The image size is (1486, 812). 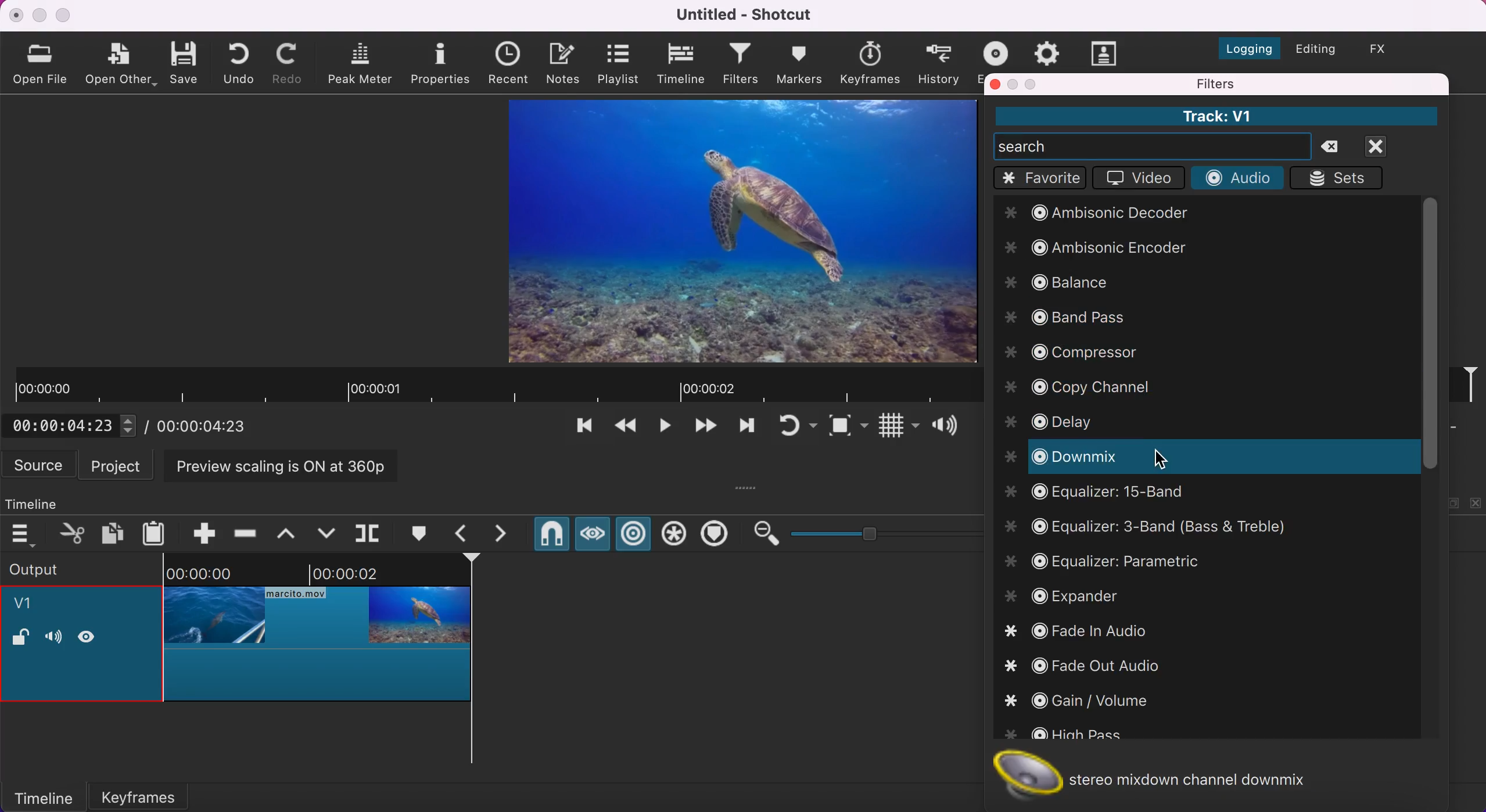 I want to click on cut, so click(x=73, y=533).